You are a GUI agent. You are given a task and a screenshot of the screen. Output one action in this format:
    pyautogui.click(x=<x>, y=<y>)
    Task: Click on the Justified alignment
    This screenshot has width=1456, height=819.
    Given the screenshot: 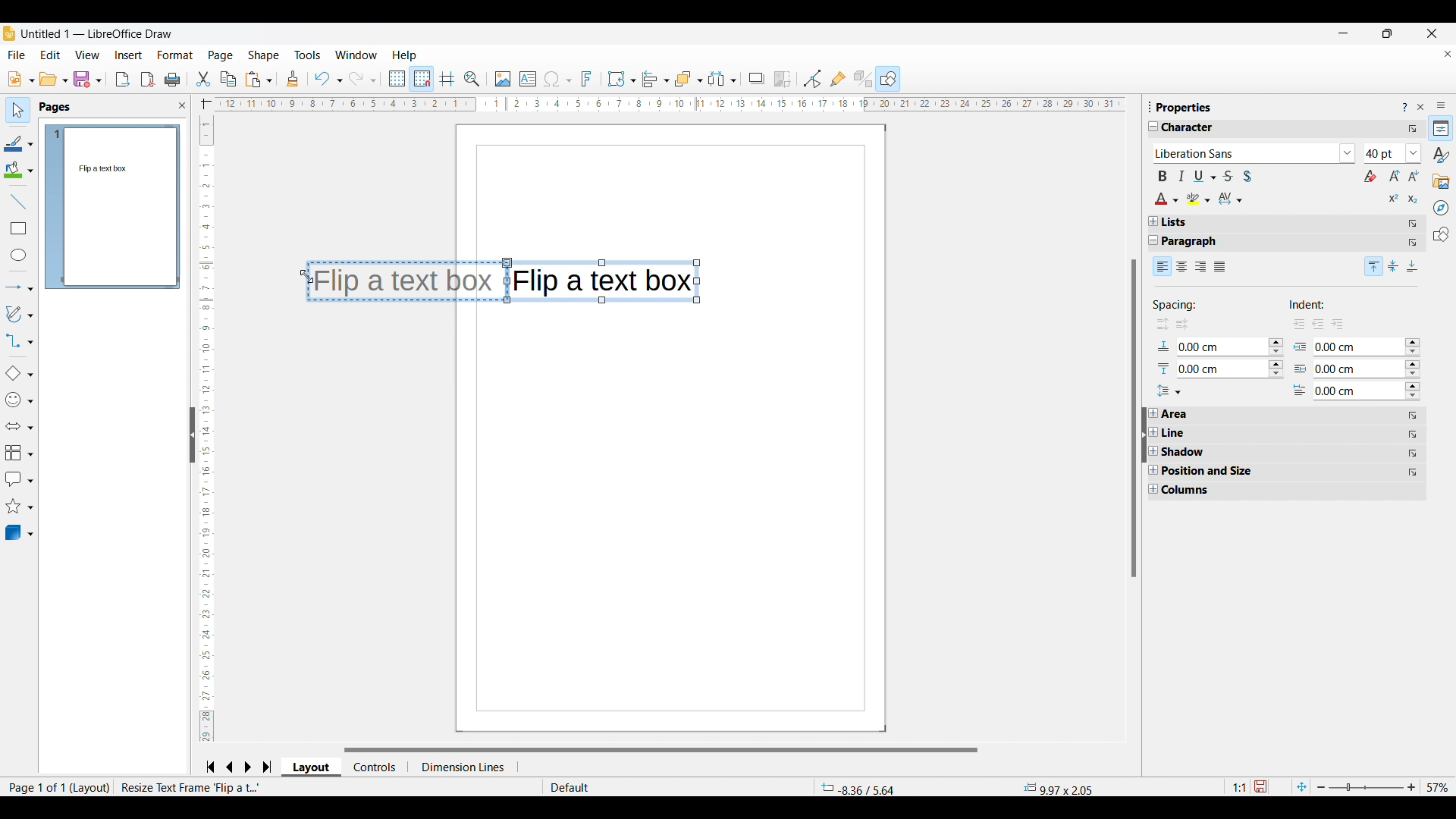 What is the action you would take?
    pyautogui.click(x=1220, y=267)
    